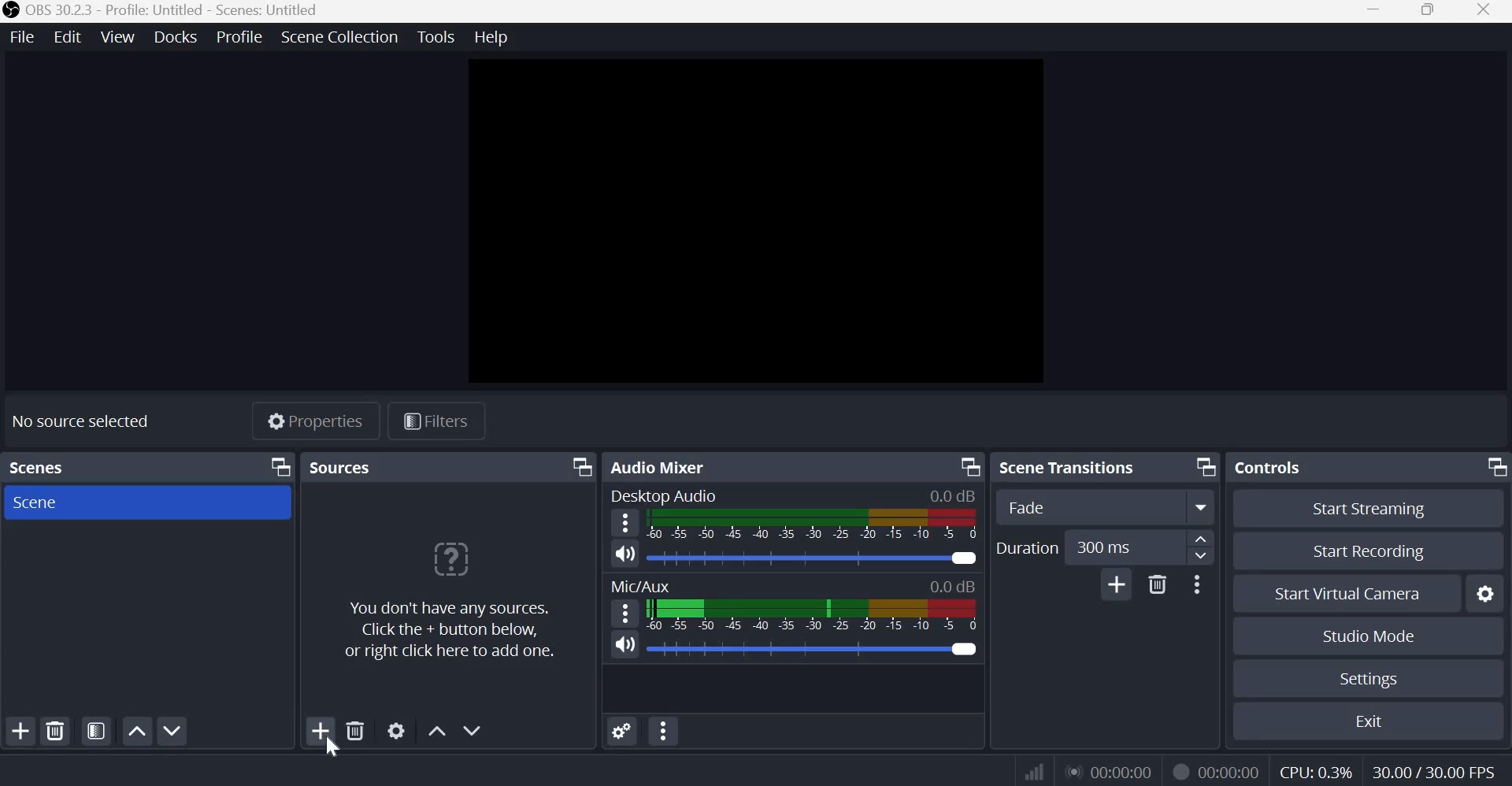 This screenshot has height=786, width=1512. What do you see at coordinates (20, 731) in the screenshot?
I see `add scene` at bounding box center [20, 731].